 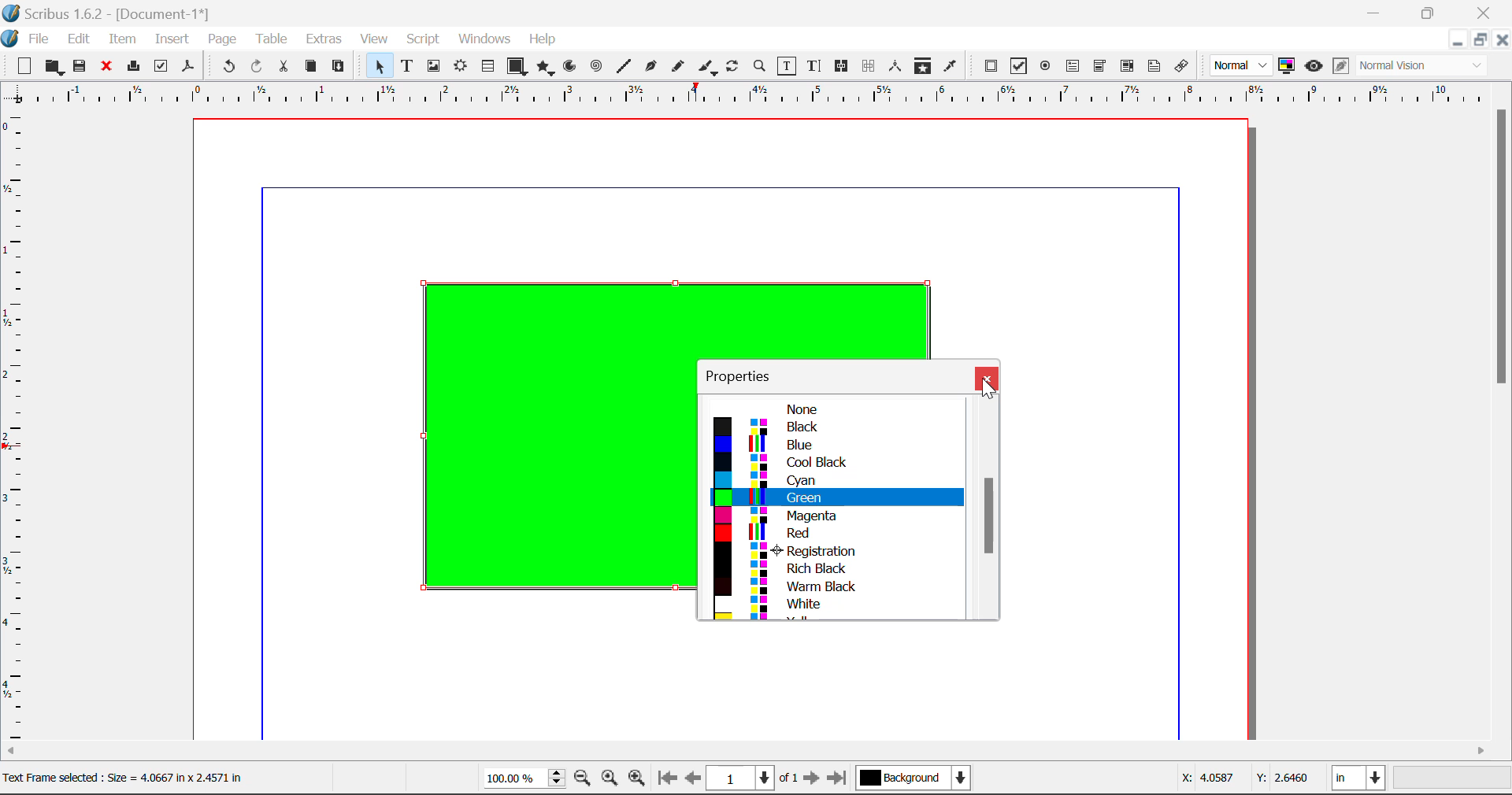 What do you see at coordinates (987, 378) in the screenshot?
I see `Close` at bounding box center [987, 378].